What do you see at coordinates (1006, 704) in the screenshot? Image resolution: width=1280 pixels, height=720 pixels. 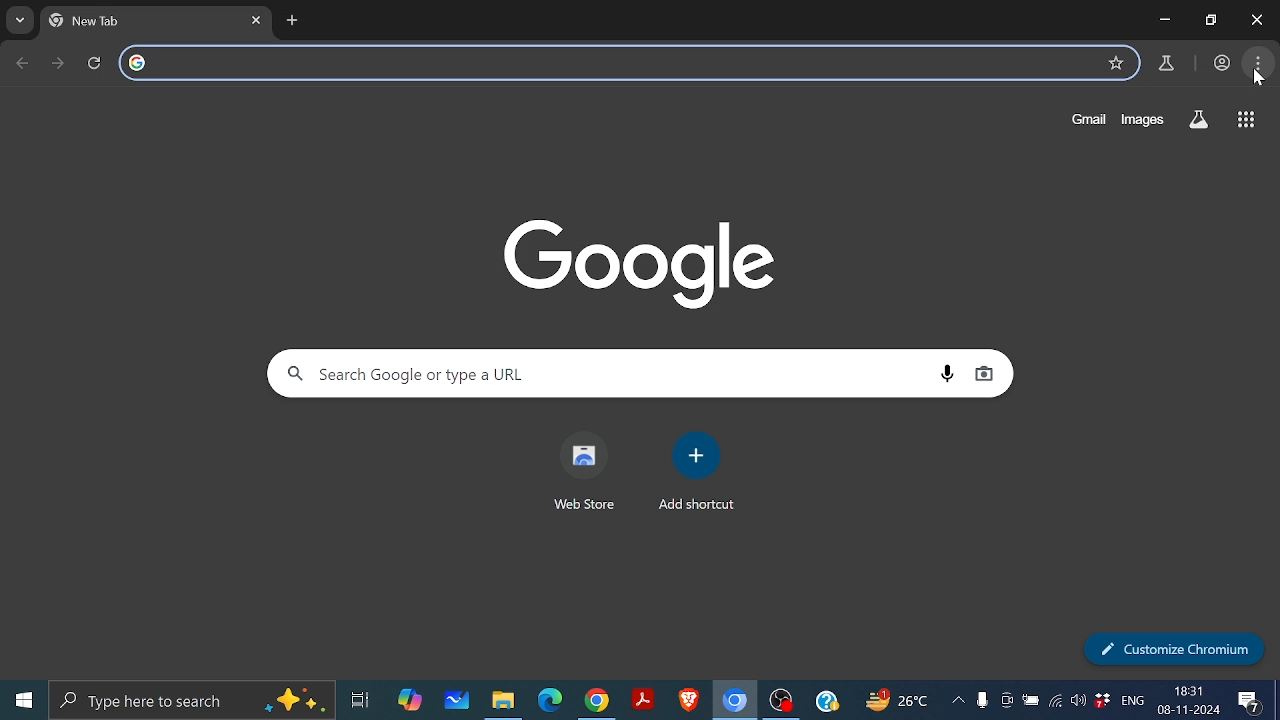 I see `meet` at bounding box center [1006, 704].